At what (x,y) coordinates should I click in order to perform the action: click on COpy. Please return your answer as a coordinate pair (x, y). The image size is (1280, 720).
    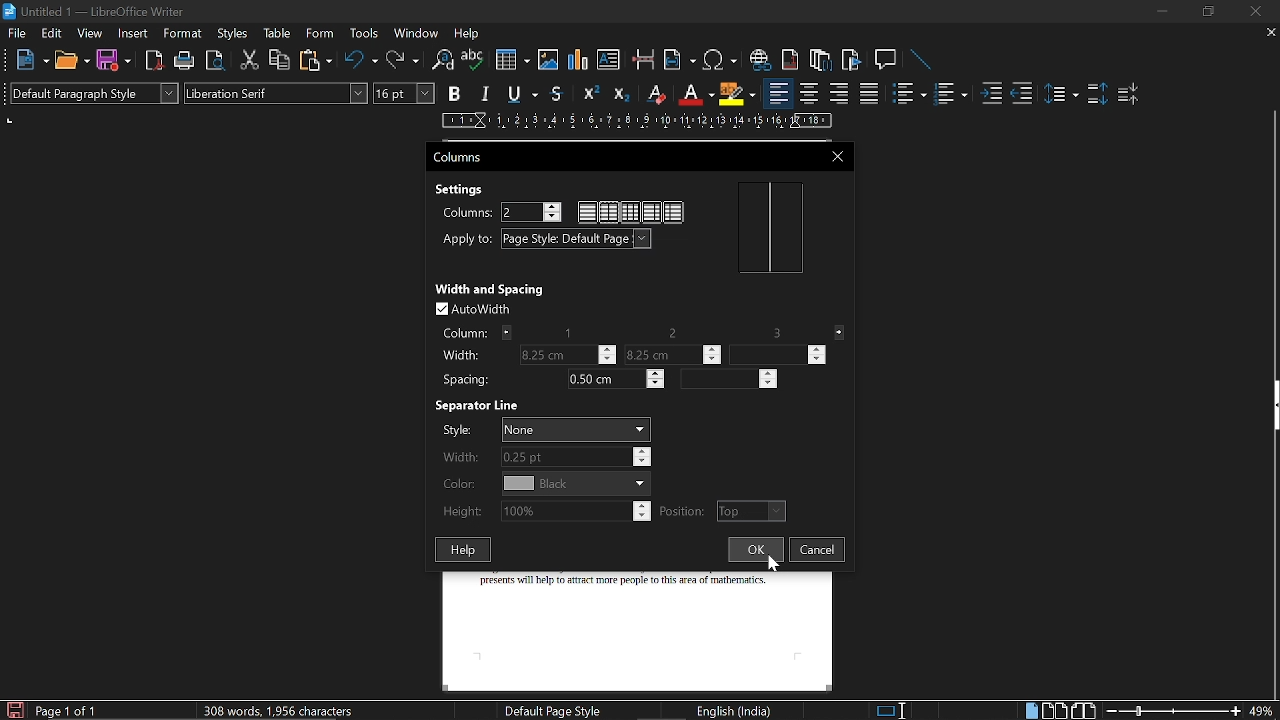
    Looking at the image, I should click on (281, 61).